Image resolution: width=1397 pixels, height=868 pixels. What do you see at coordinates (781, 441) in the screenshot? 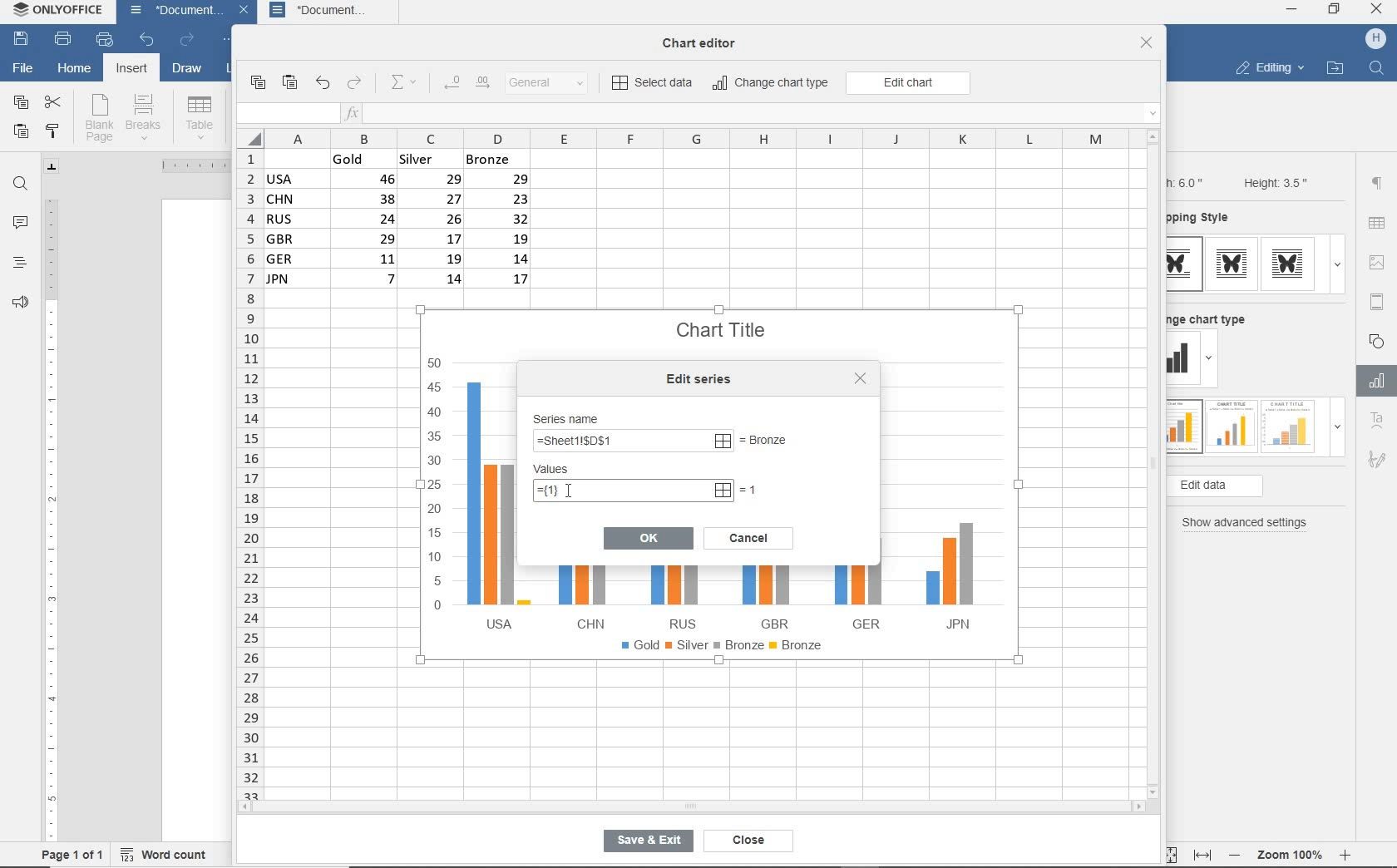
I see `choose range` at bounding box center [781, 441].